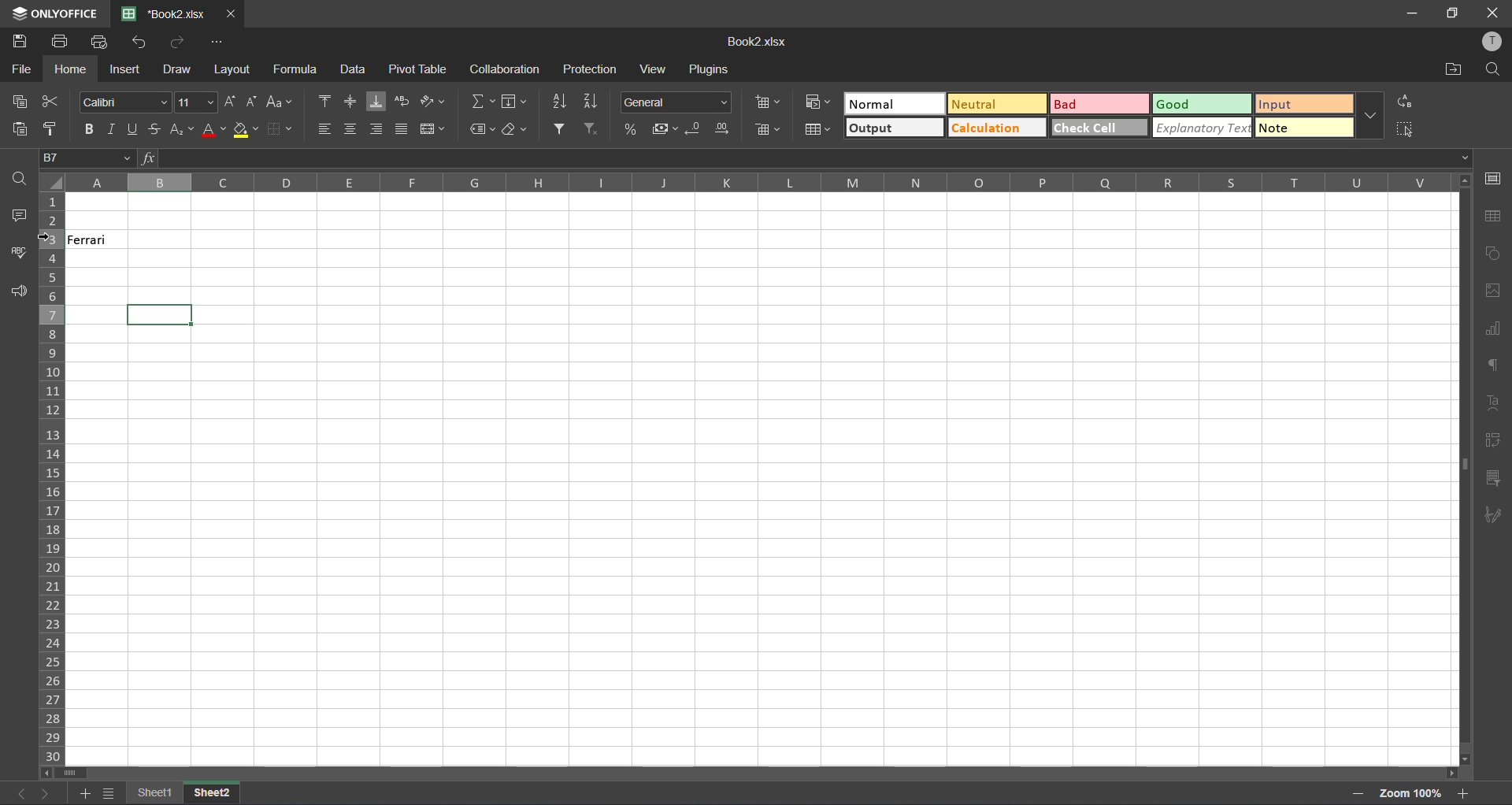  What do you see at coordinates (1370, 112) in the screenshot?
I see `more options` at bounding box center [1370, 112].